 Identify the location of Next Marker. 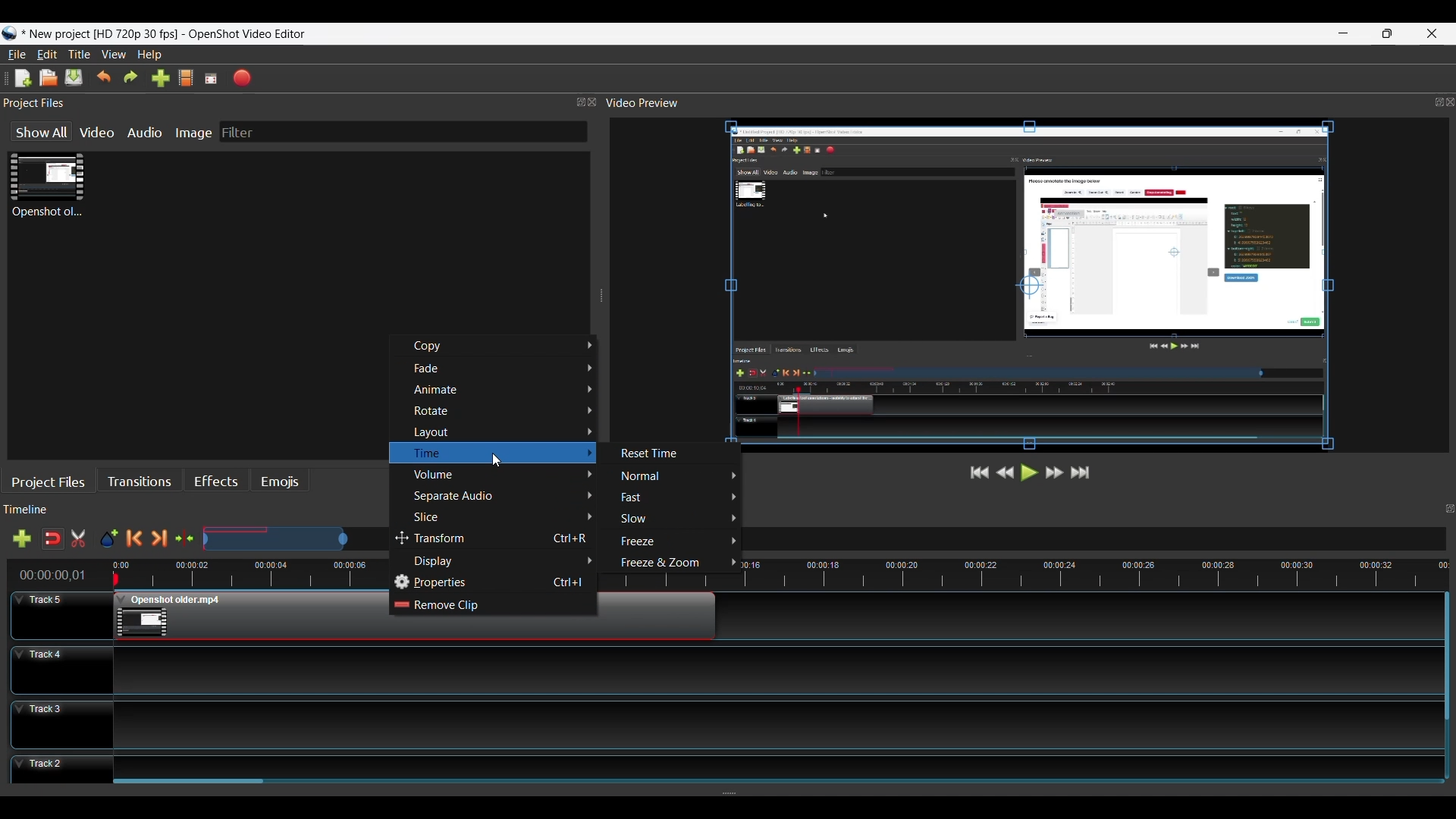
(158, 539).